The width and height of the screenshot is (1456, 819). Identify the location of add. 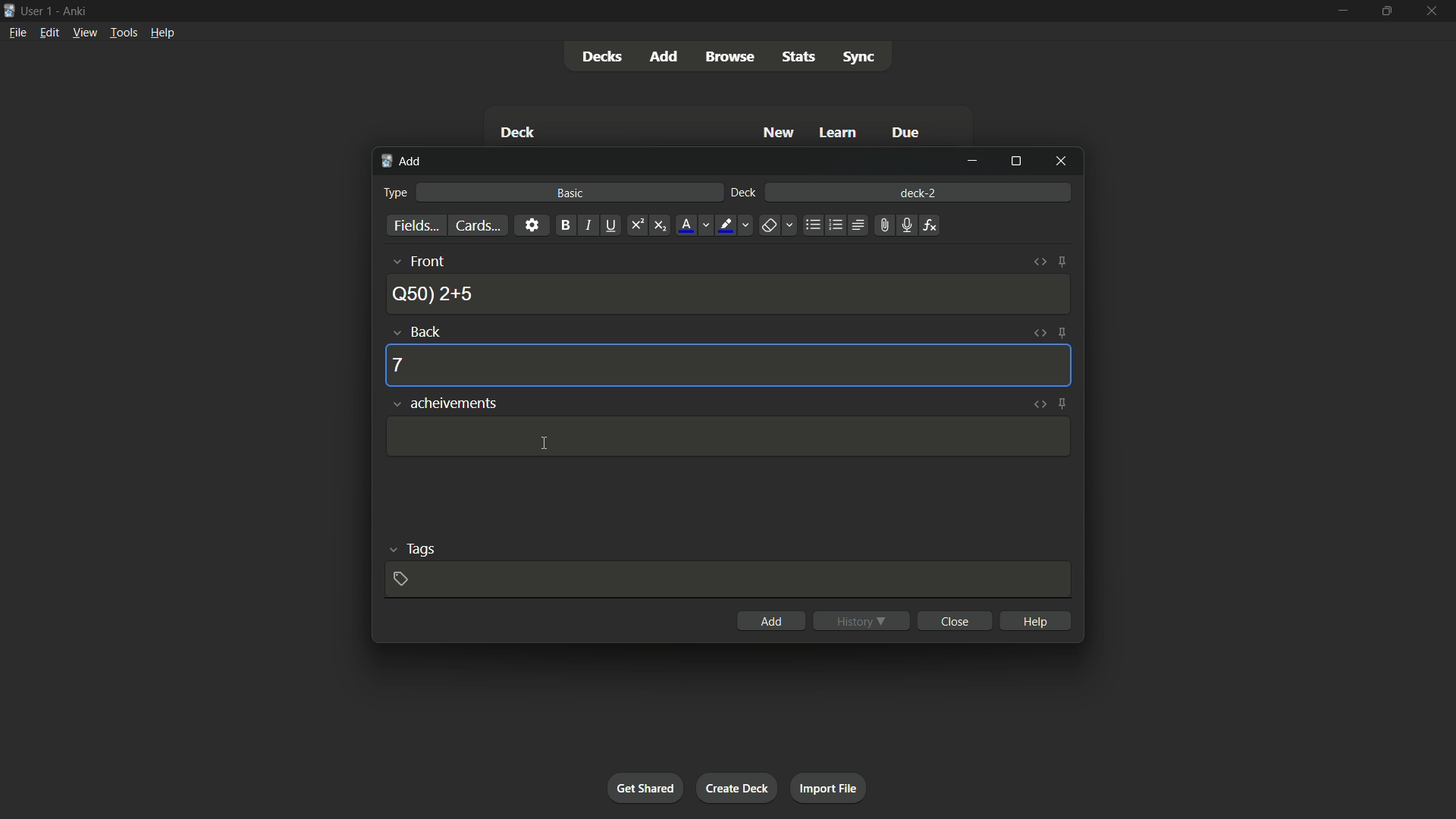
(771, 620).